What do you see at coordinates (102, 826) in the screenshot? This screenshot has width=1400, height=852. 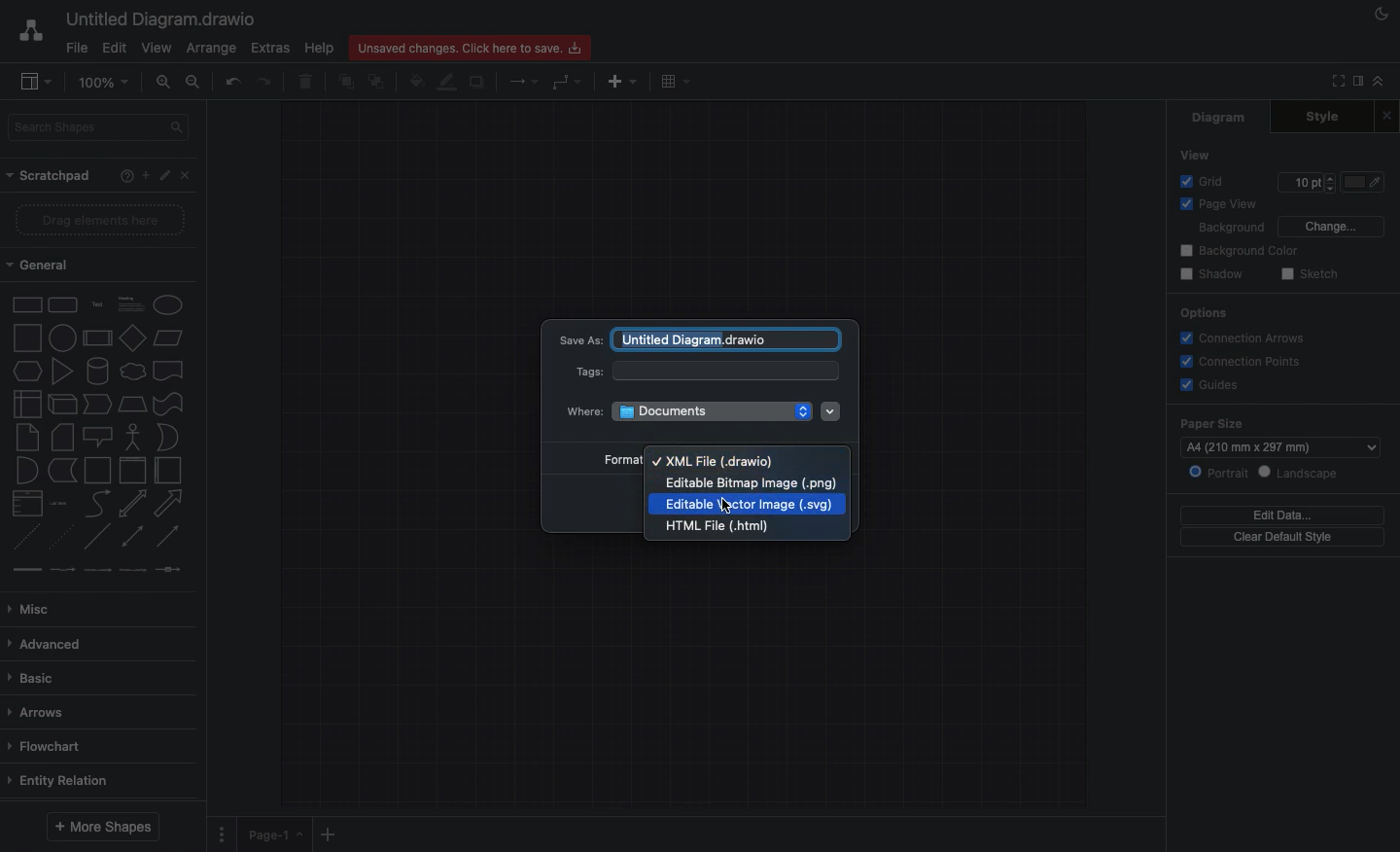 I see `More shapes` at bounding box center [102, 826].